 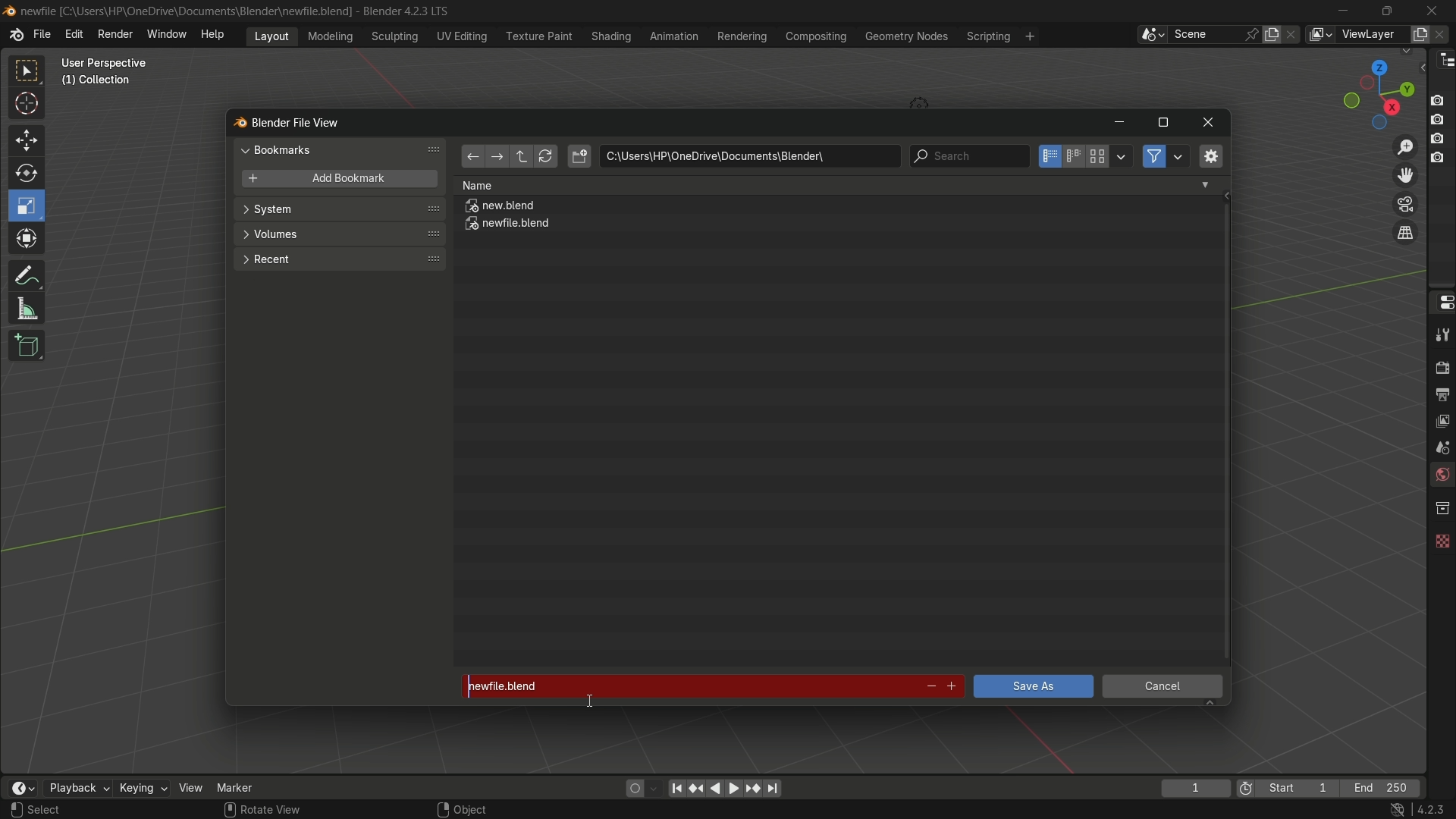 What do you see at coordinates (1122, 155) in the screenshot?
I see `display settings` at bounding box center [1122, 155].